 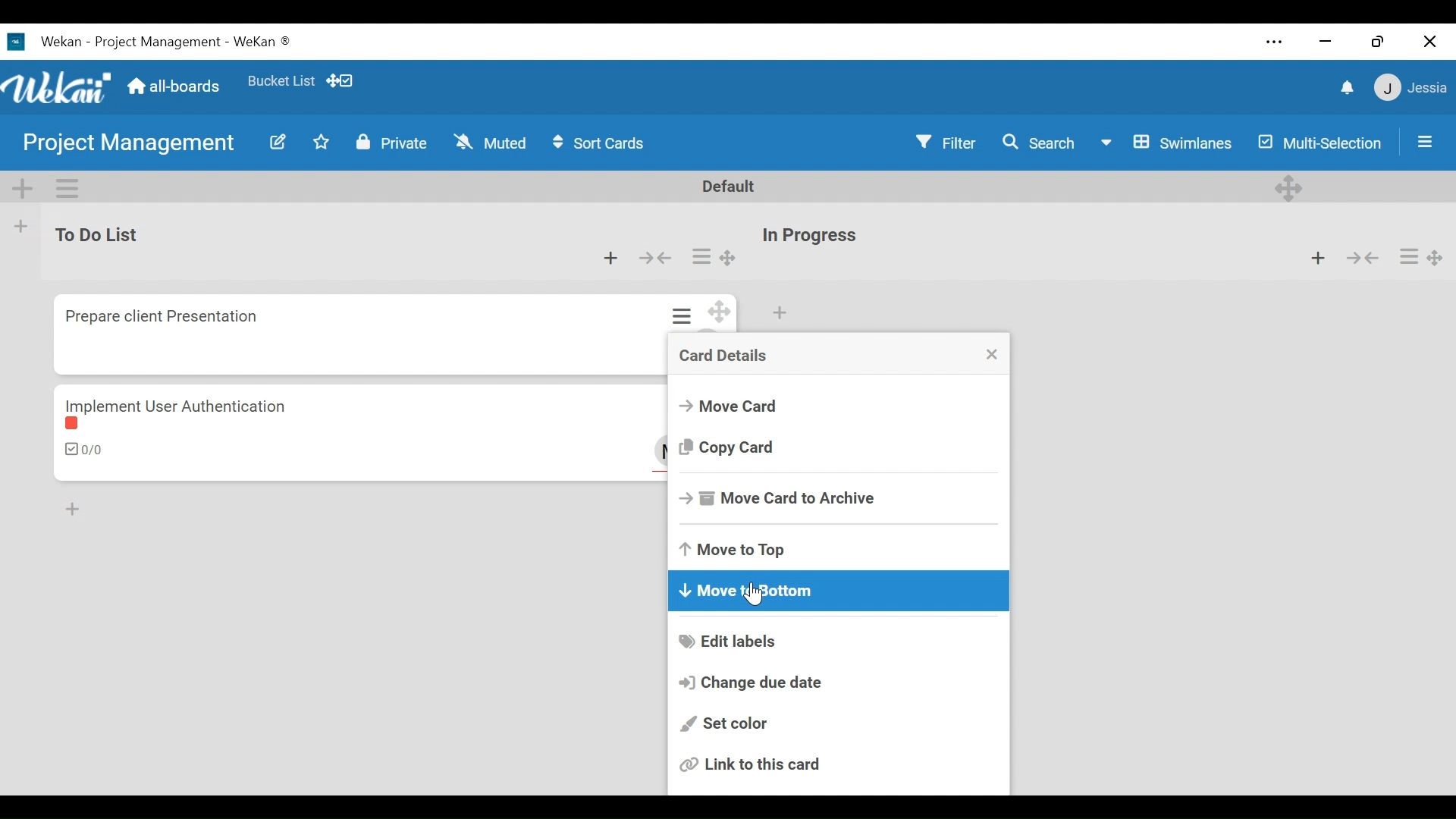 What do you see at coordinates (394, 142) in the screenshot?
I see `Private` at bounding box center [394, 142].